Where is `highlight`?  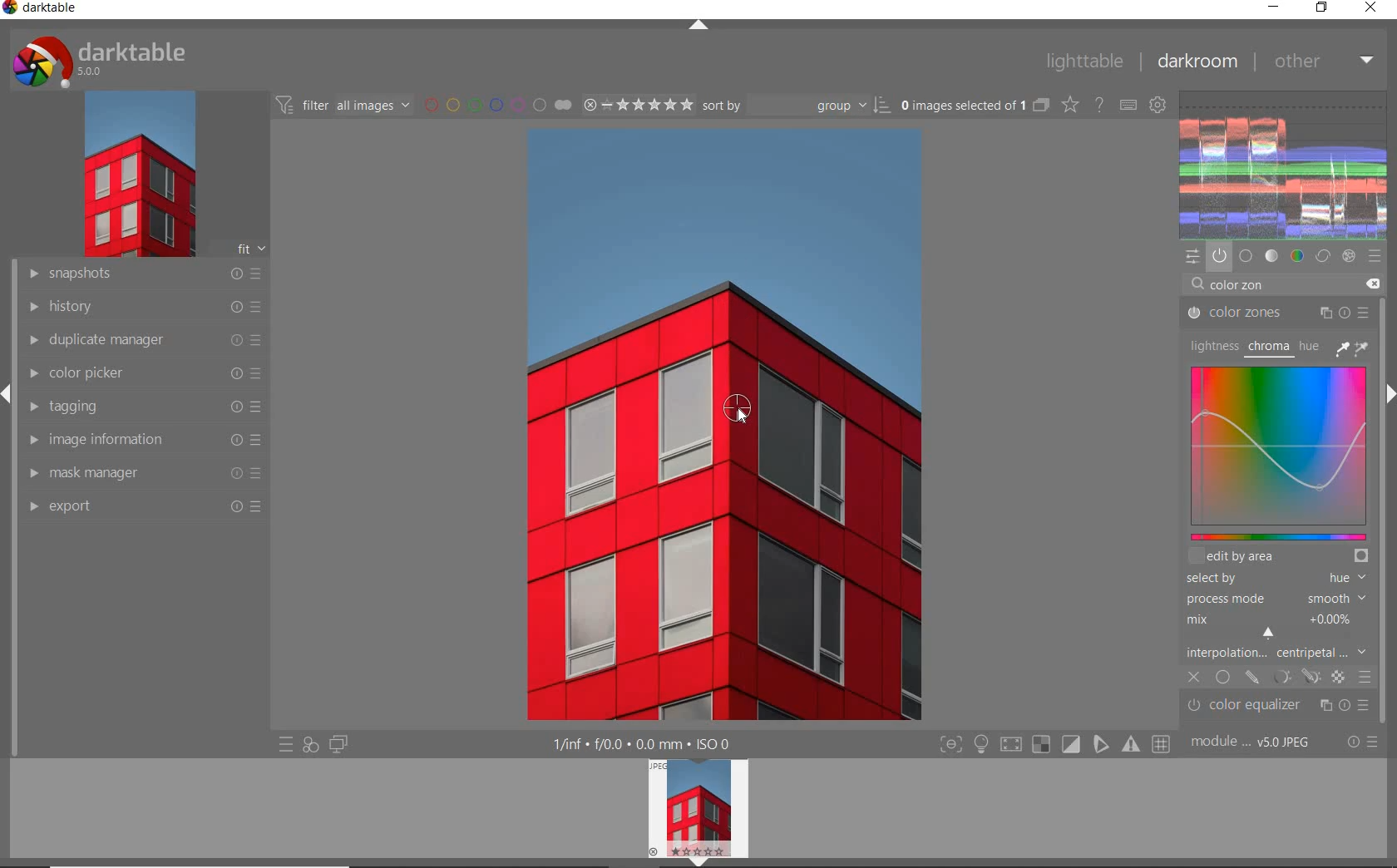
highlight is located at coordinates (983, 747).